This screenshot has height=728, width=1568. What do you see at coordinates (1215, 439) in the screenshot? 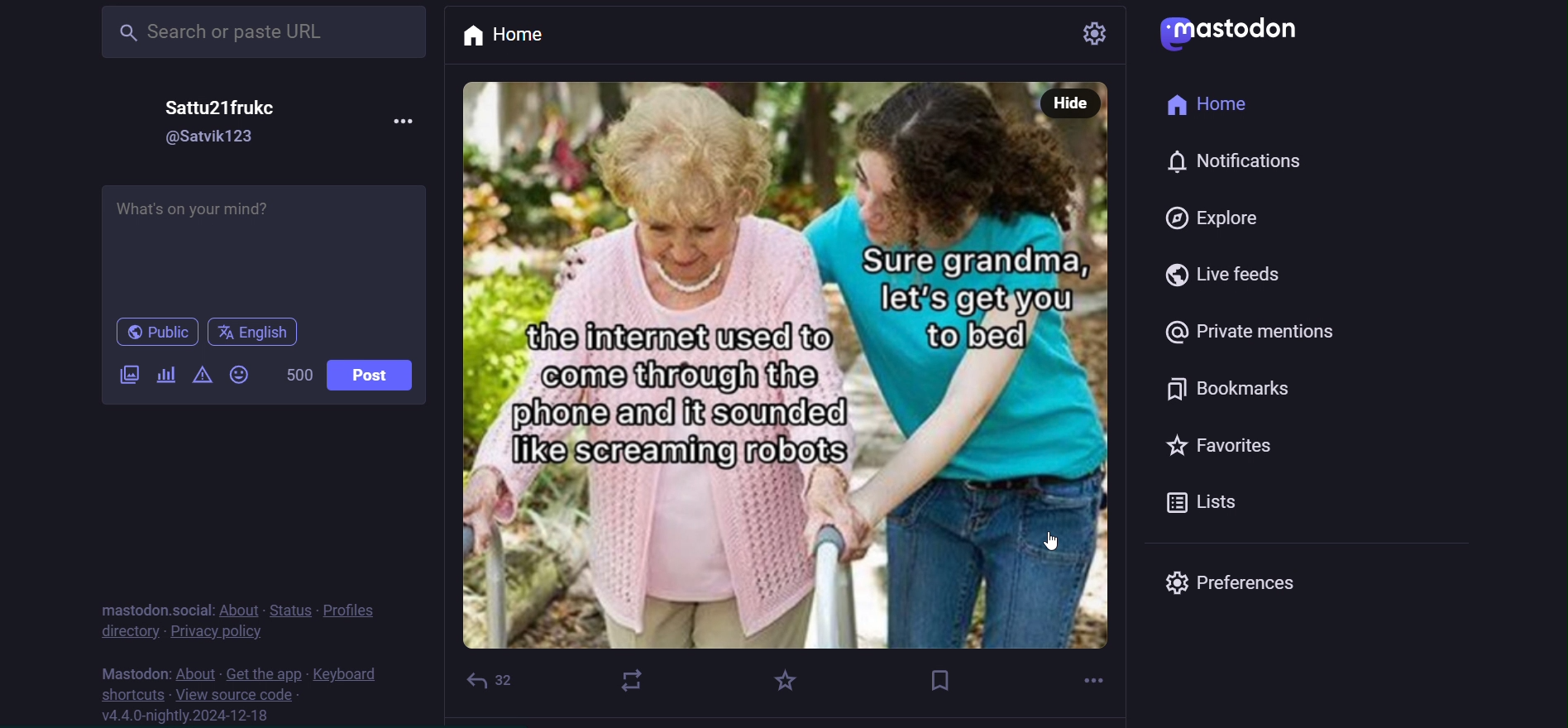
I see `favorites` at bounding box center [1215, 439].